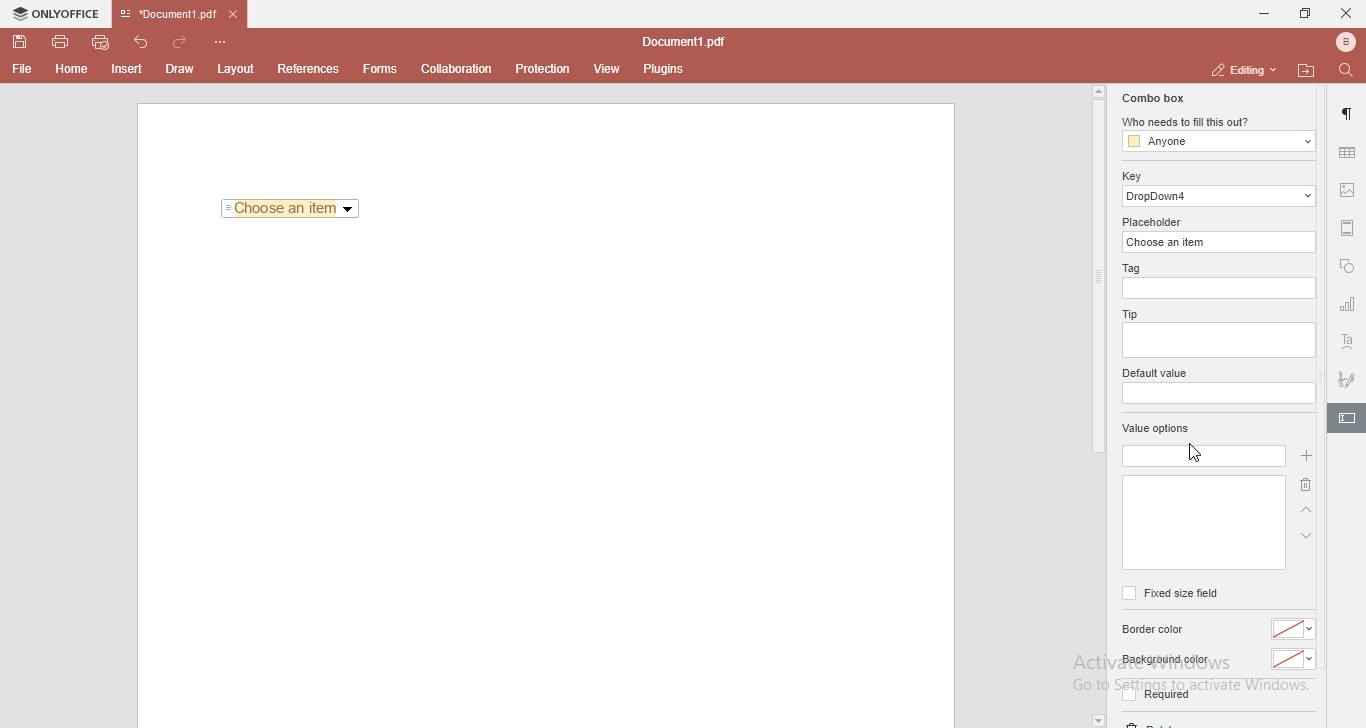 This screenshot has width=1366, height=728. What do you see at coordinates (1202, 523) in the screenshot?
I see `empty box` at bounding box center [1202, 523].